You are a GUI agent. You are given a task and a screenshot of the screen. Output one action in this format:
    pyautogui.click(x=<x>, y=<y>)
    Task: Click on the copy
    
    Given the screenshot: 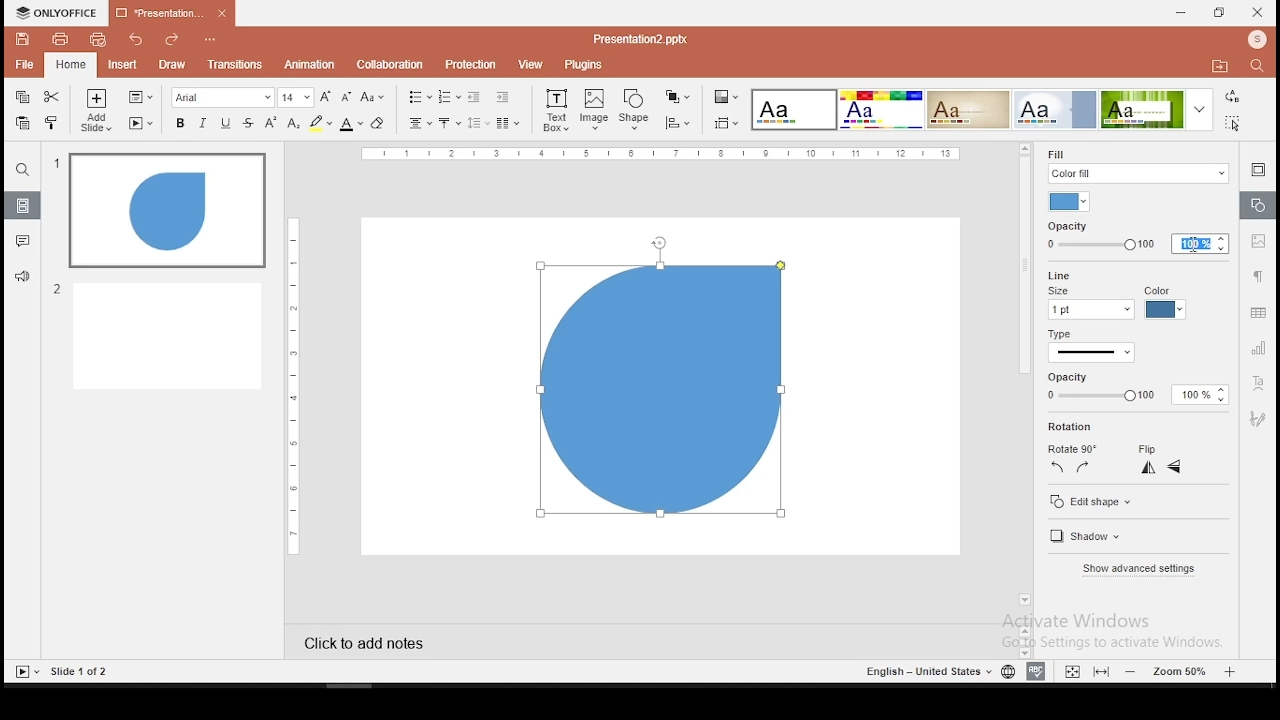 What is the action you would take?
    pyautogui.click(x=21, y=98)
    